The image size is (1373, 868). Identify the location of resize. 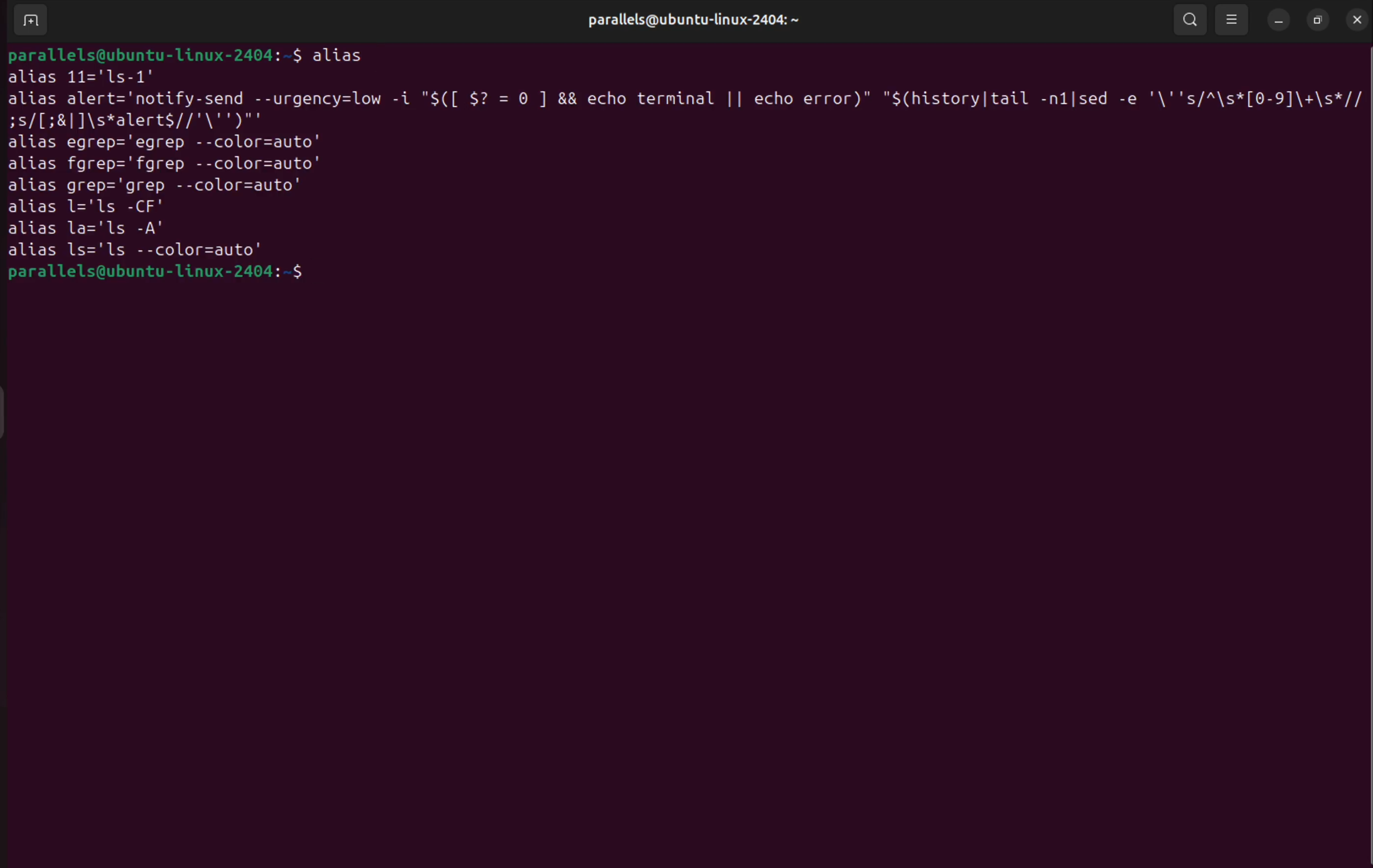
(1318, 19).